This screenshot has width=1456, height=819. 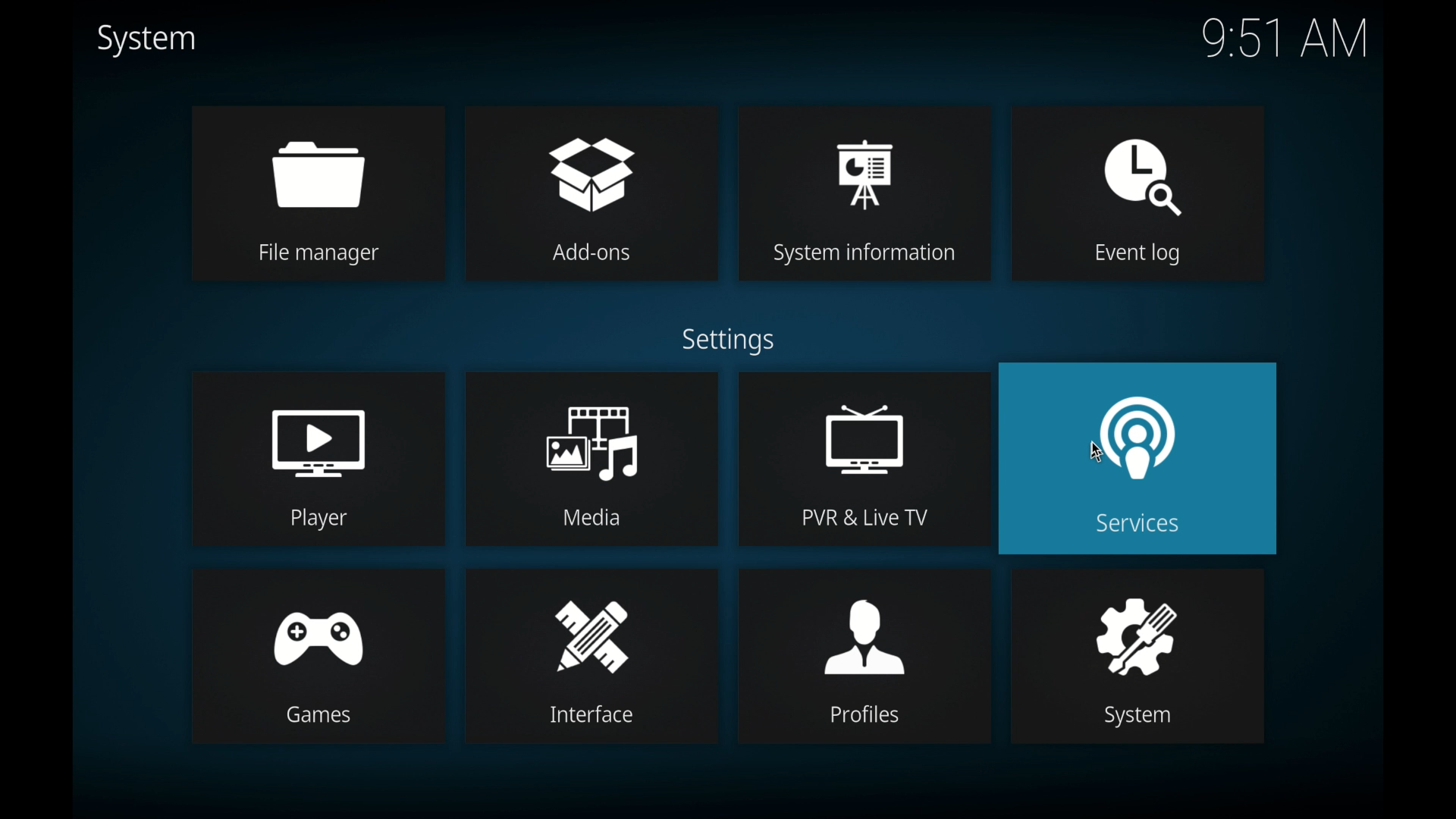 What do you see at coordinates (864, 193) in the screenshot?
I see `system information` at bounding box center [864, 193].